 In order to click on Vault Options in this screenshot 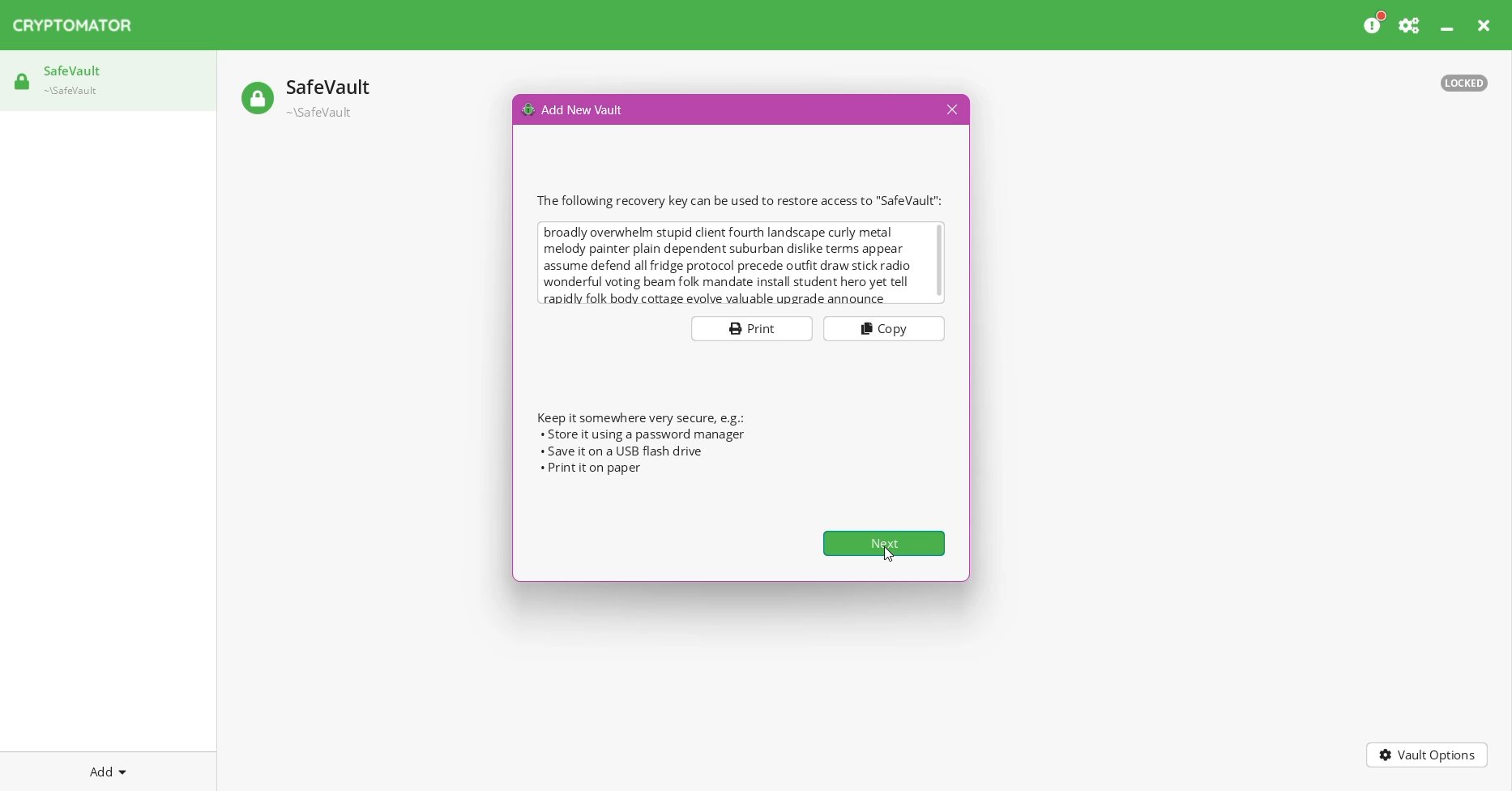, I will do `click(1428, 755)`.